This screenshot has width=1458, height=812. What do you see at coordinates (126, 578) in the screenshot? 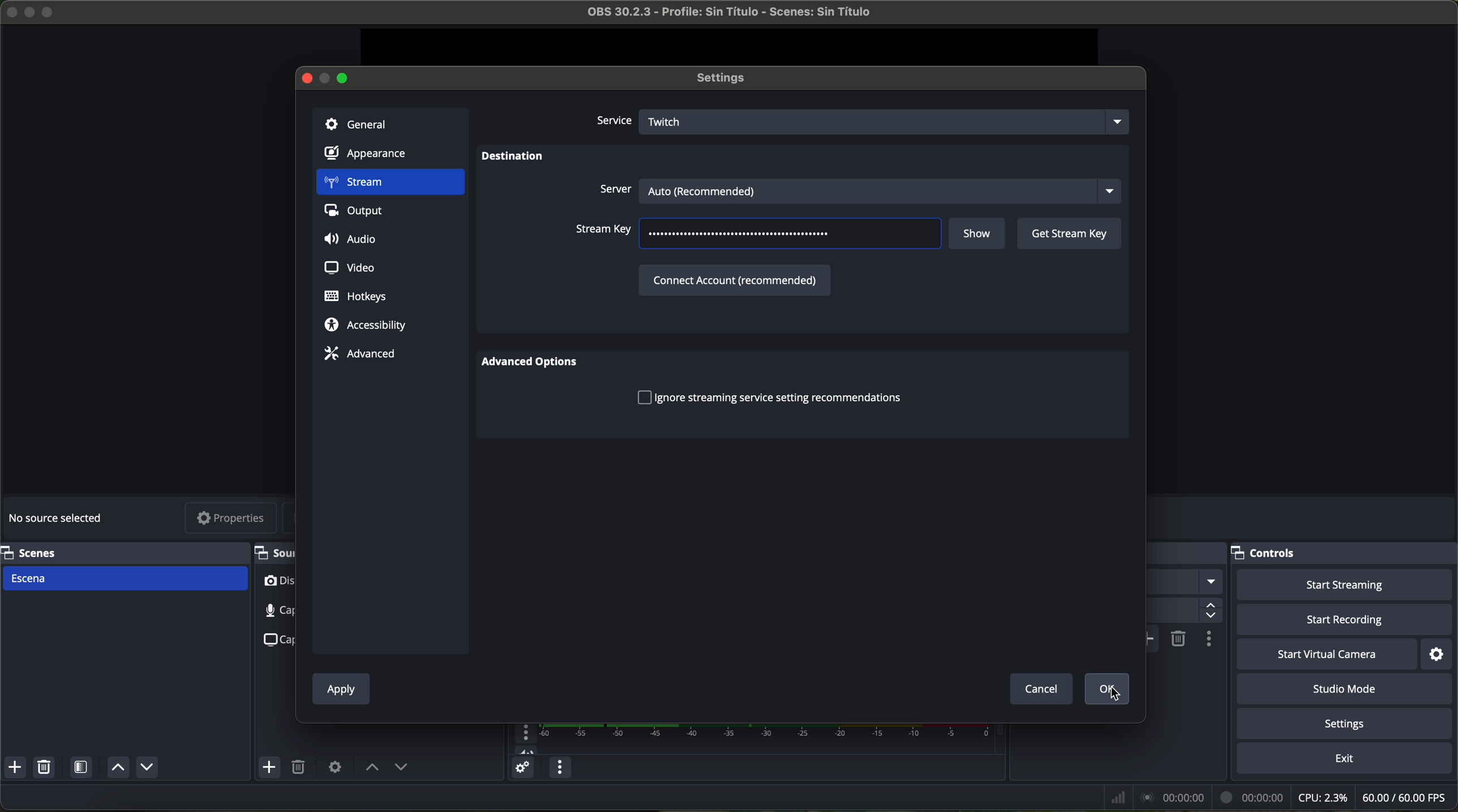
I see `scene` at bounding box center [126, 578].